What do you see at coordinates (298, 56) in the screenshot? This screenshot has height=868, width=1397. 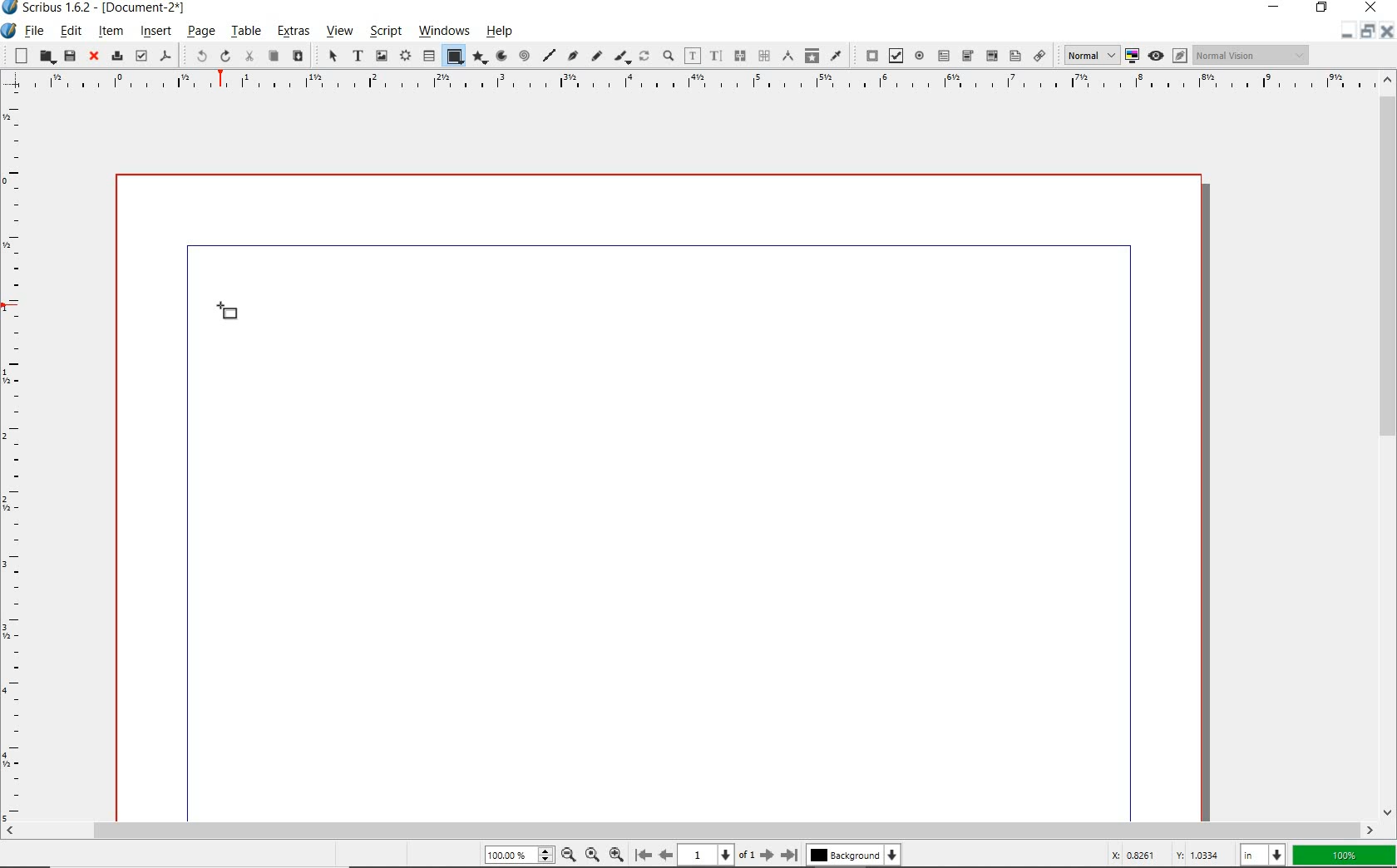 I see `paste` at bounding box center [298, 56].